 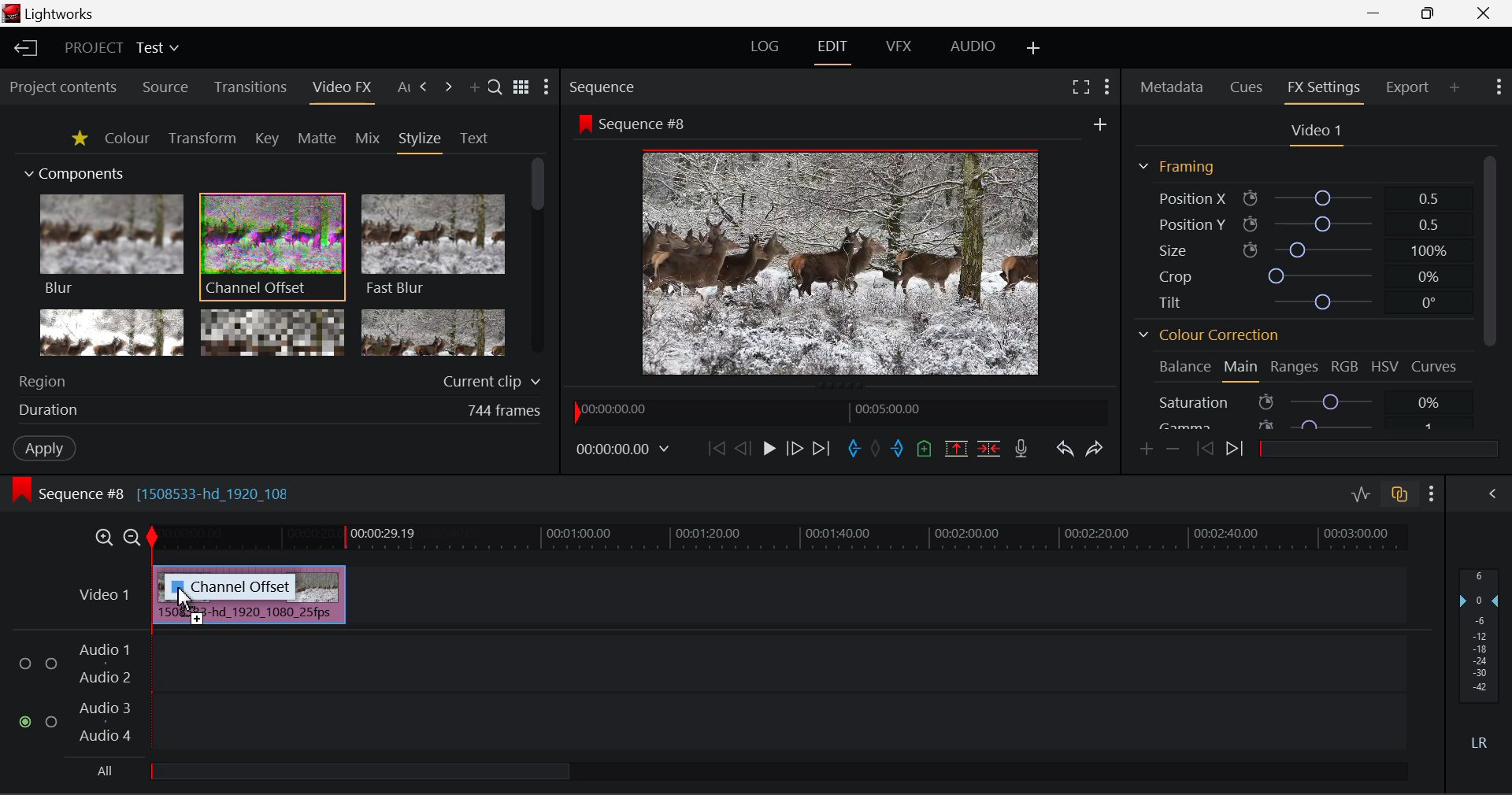 What do you see at coordinates (1454, 88) in the screenshot?
I see `Add Panel` at bounding box center [1454, 88].